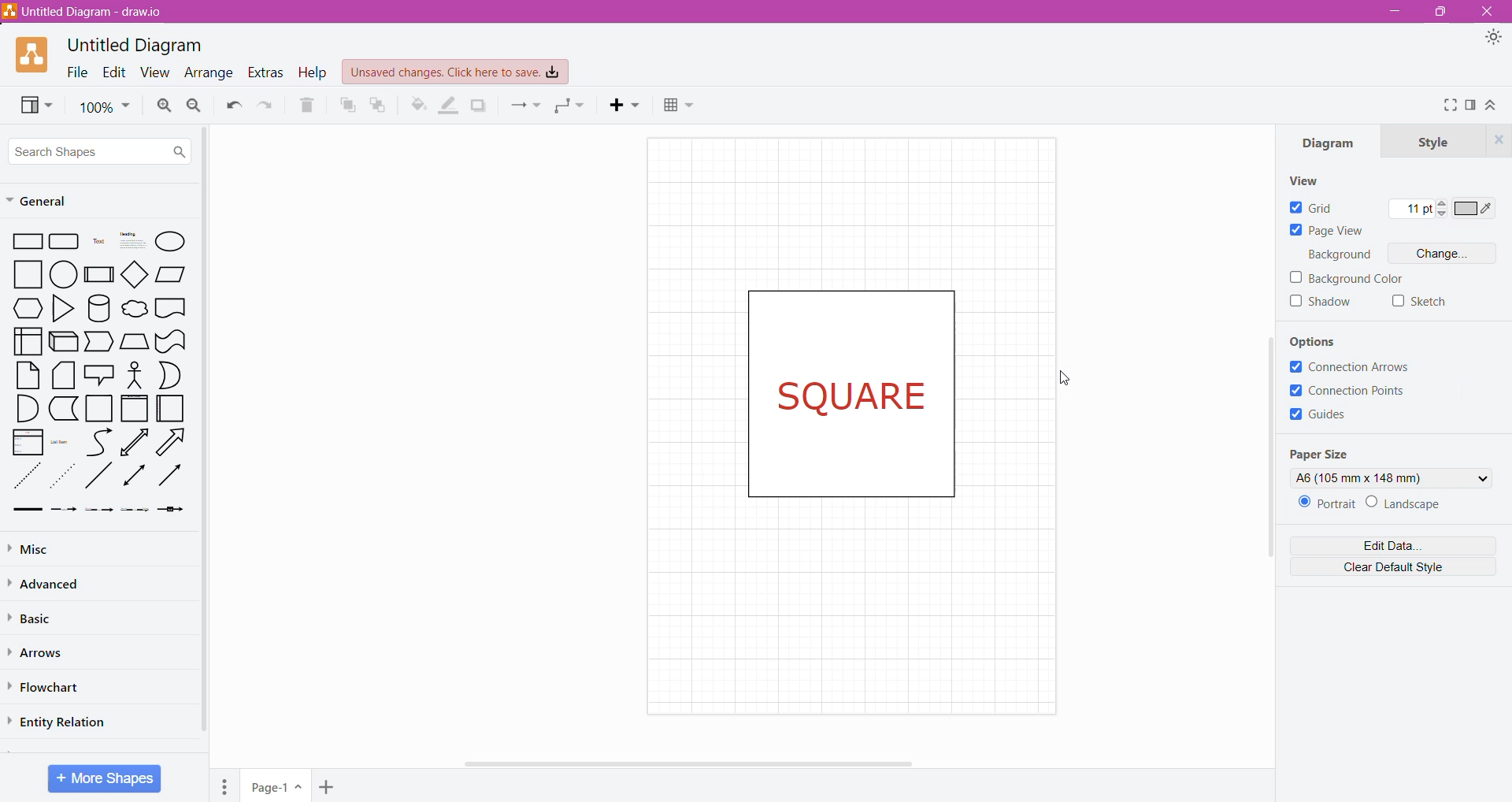 The width and height of the screenshot is (1512, 802). I want to click on Expand/Collapse, so click(1491, 105).